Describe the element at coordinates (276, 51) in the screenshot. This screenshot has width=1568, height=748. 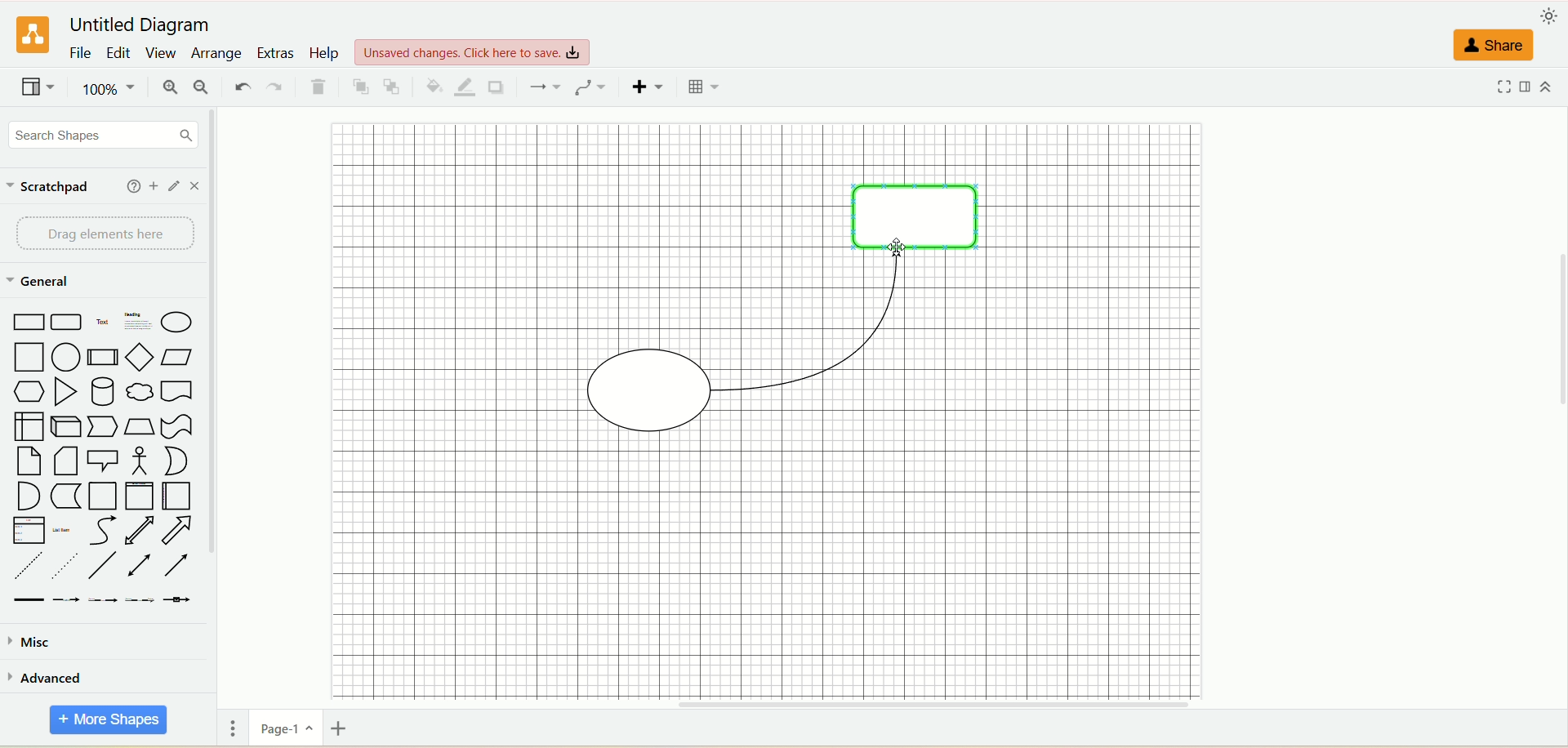
I see `extras` at that location.